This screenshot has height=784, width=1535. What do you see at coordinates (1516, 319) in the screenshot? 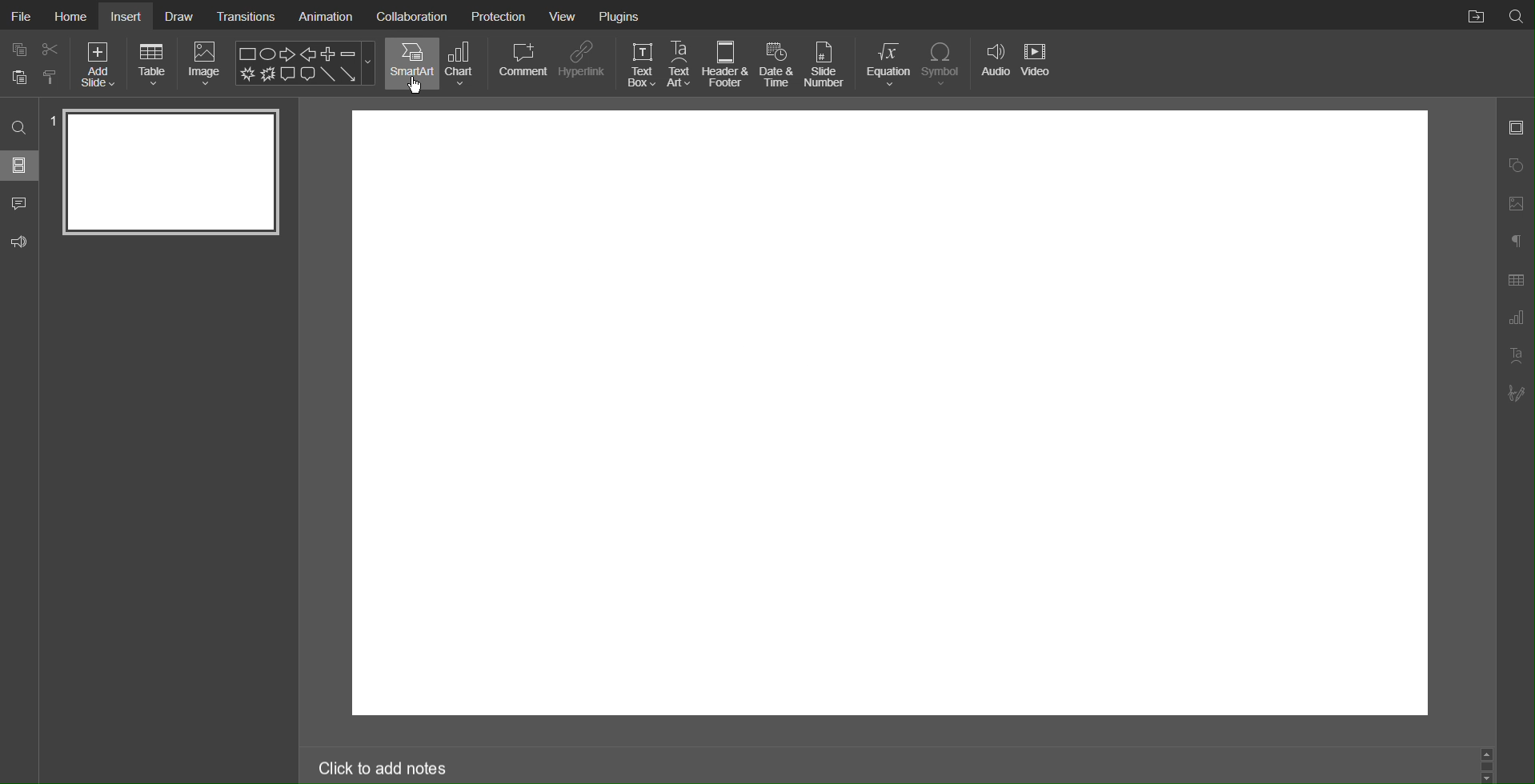
I see `Chart Settings` at bounding box center [1516, 319].